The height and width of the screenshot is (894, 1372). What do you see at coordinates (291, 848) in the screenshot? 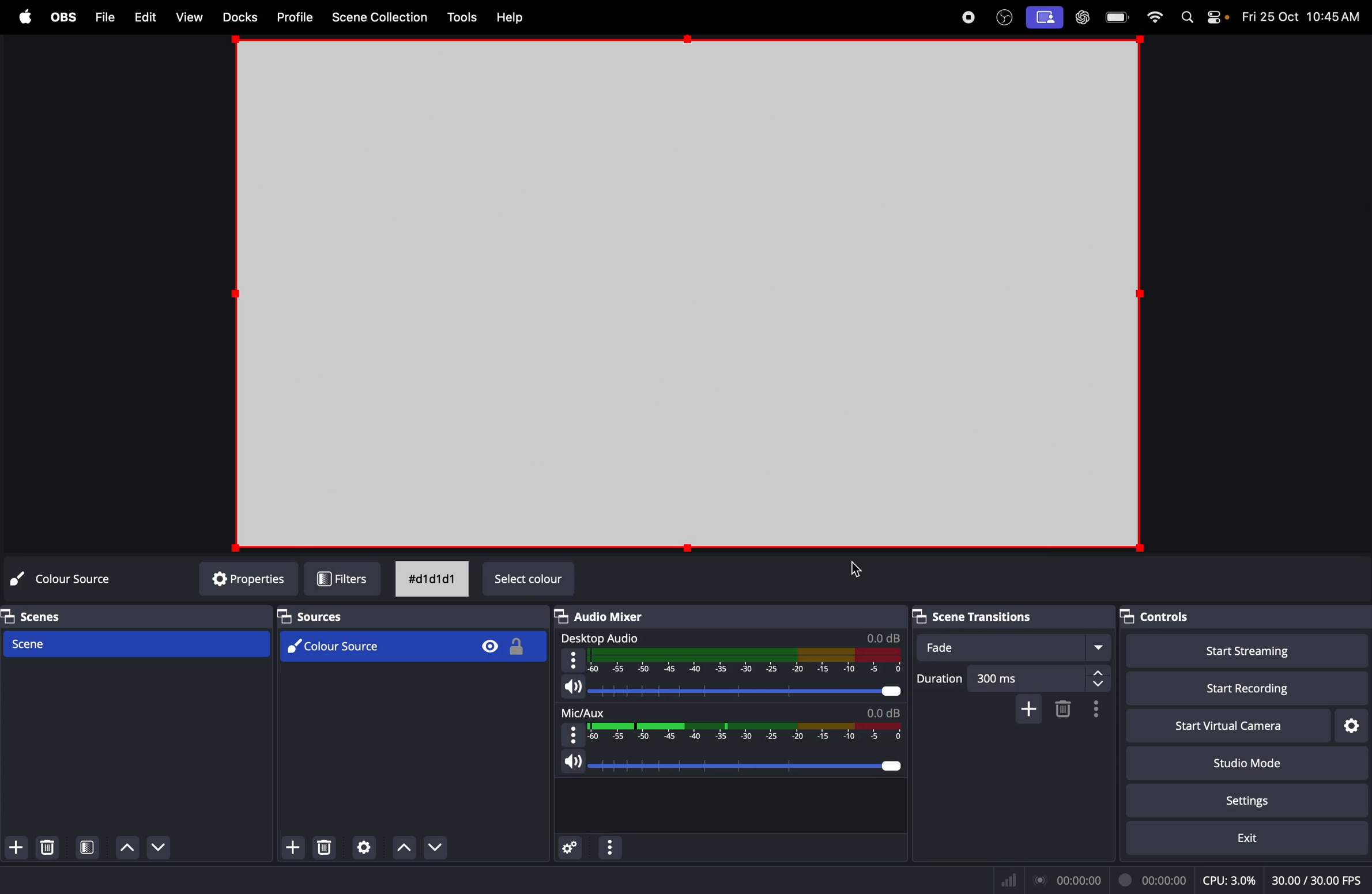
I see `add source` at bounding box center [291, 848].